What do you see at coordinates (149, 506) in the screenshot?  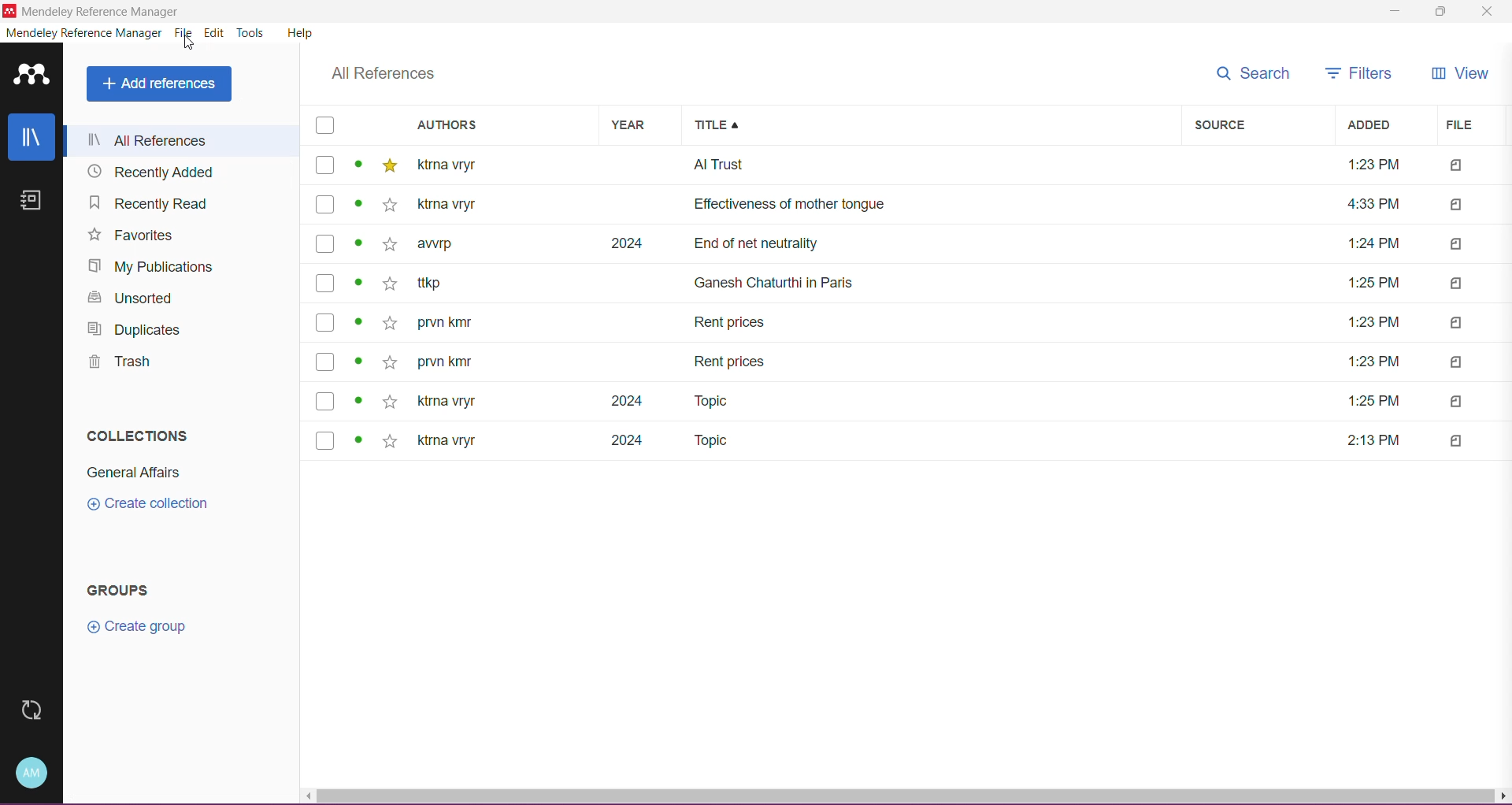 I see `Click to Create Collection` at bounding box center [149, 506].